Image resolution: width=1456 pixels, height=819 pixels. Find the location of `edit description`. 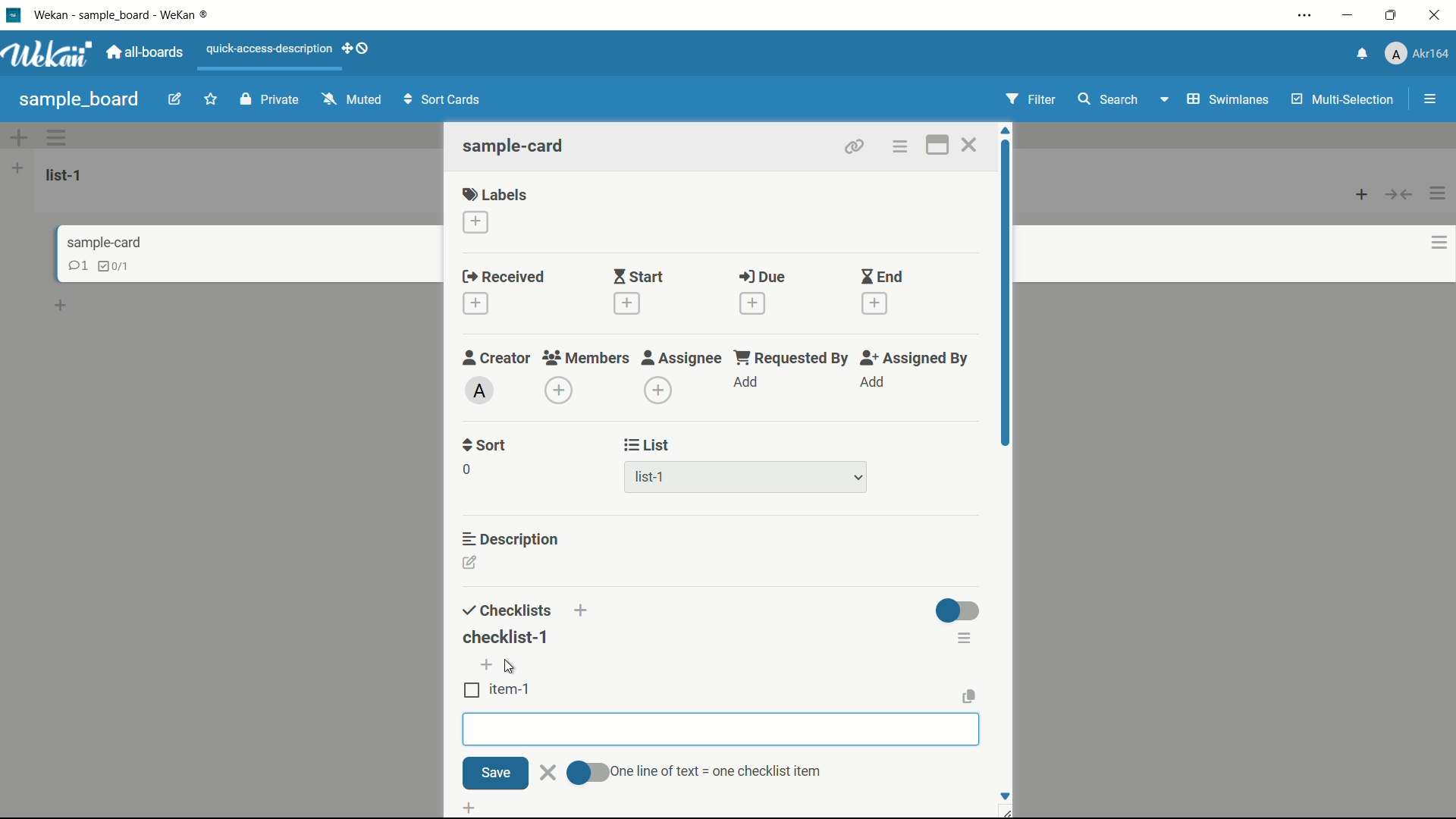

edit description is located at coordinates (470, 563).